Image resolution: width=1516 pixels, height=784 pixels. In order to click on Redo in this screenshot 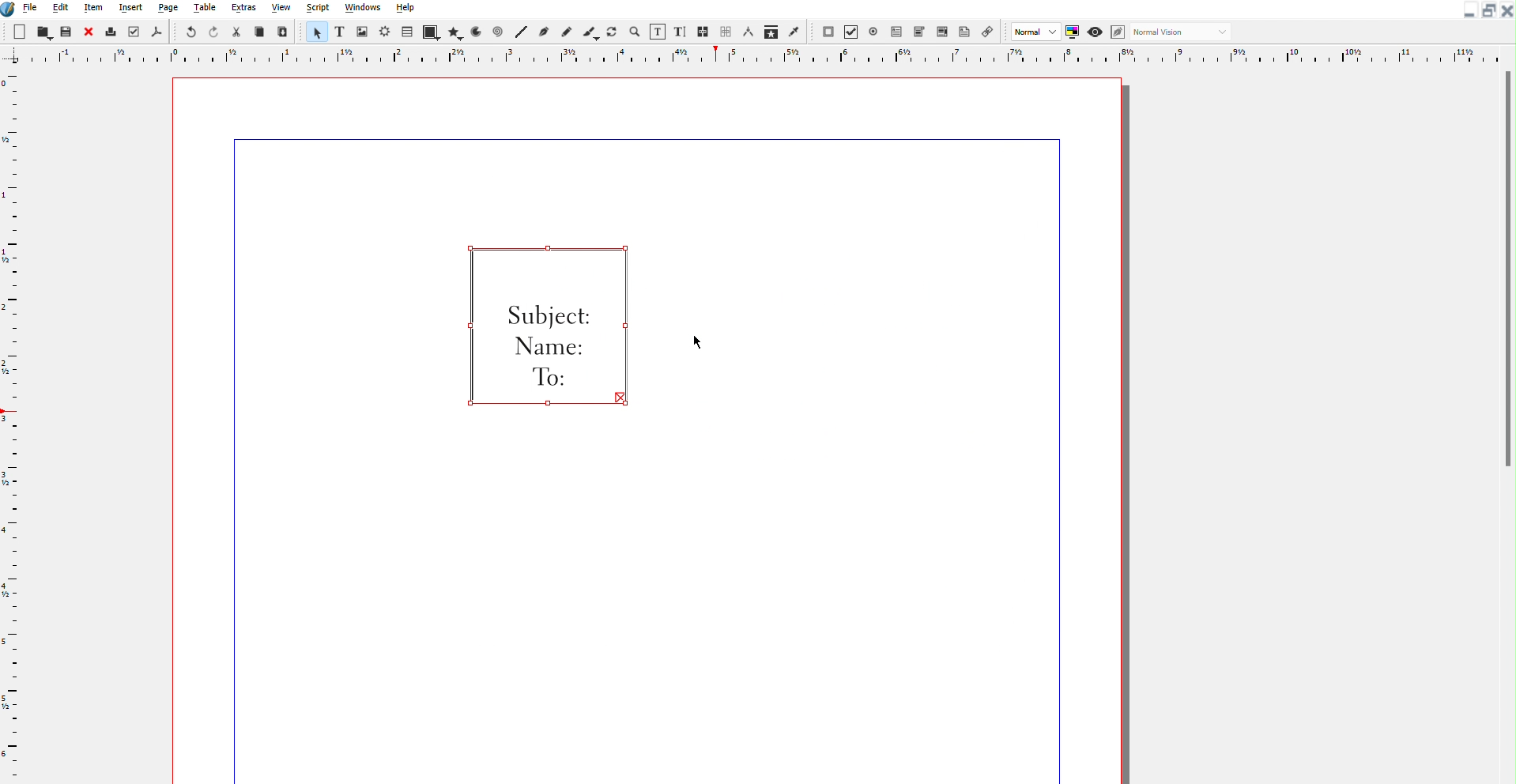, I will do `click(215, 32)`.